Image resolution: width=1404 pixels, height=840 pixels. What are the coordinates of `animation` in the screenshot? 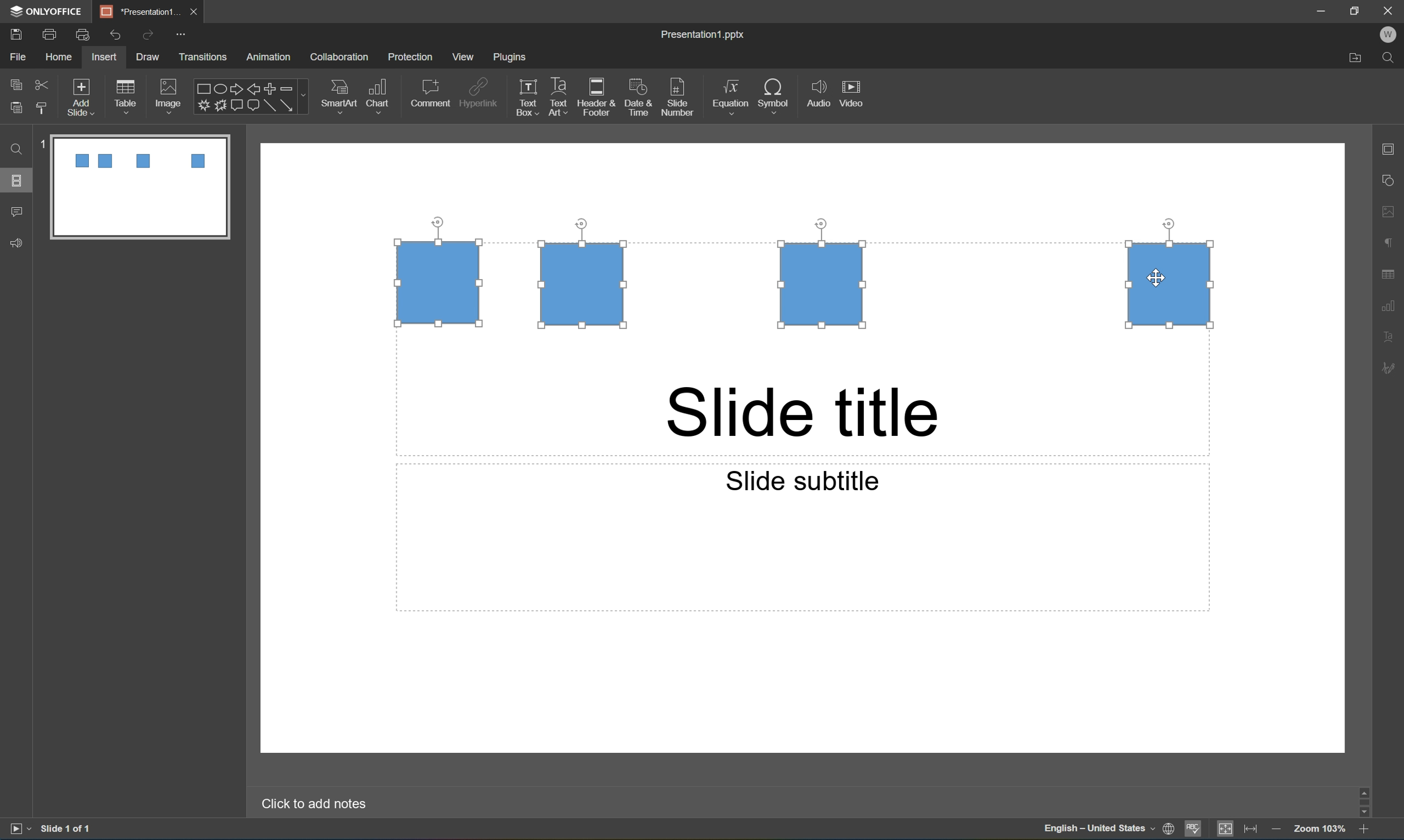 It's located at (273, 57).